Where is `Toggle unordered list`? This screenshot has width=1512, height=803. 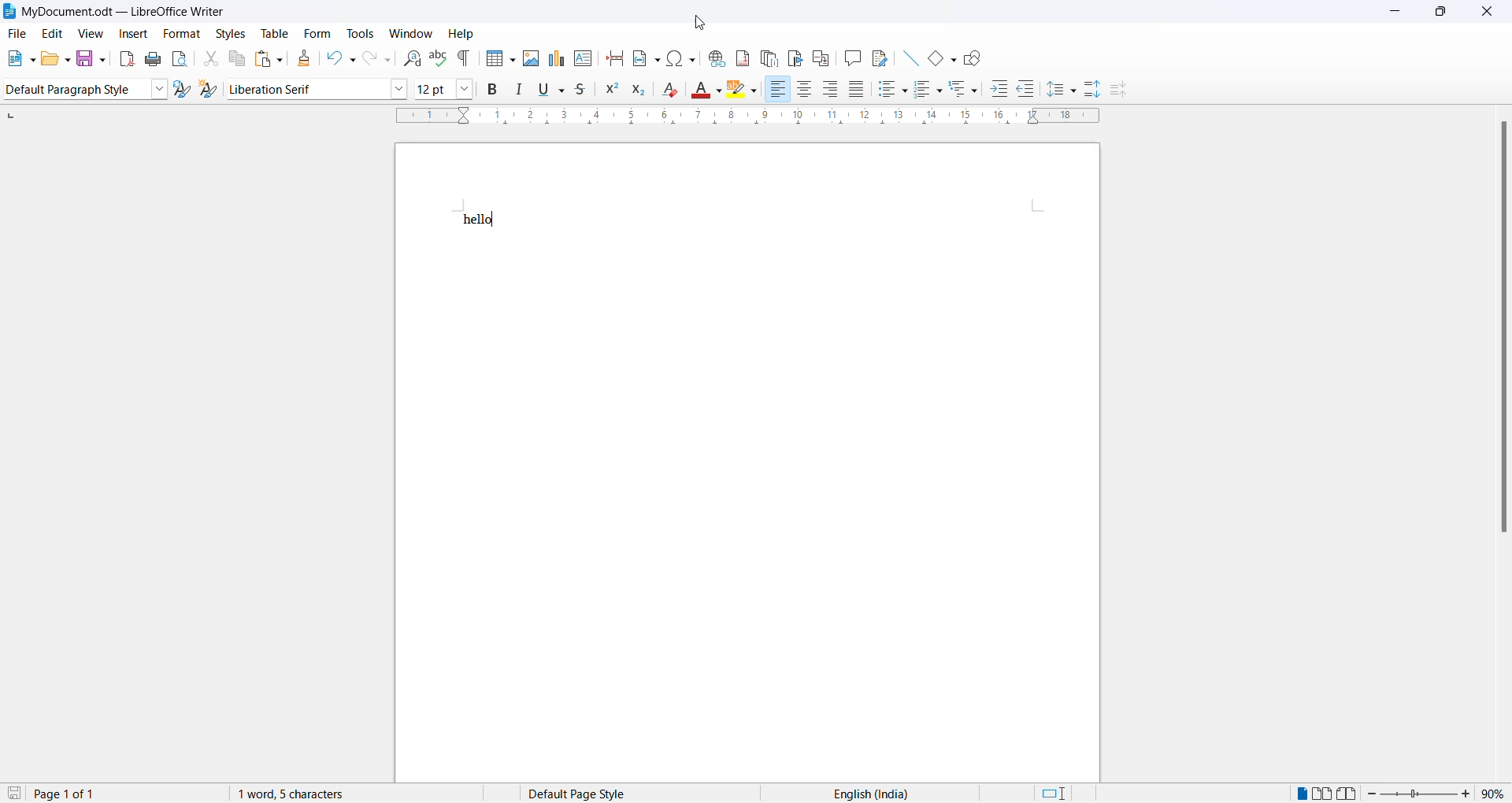
Toggle unordered list is located at coordinates (890, 90).